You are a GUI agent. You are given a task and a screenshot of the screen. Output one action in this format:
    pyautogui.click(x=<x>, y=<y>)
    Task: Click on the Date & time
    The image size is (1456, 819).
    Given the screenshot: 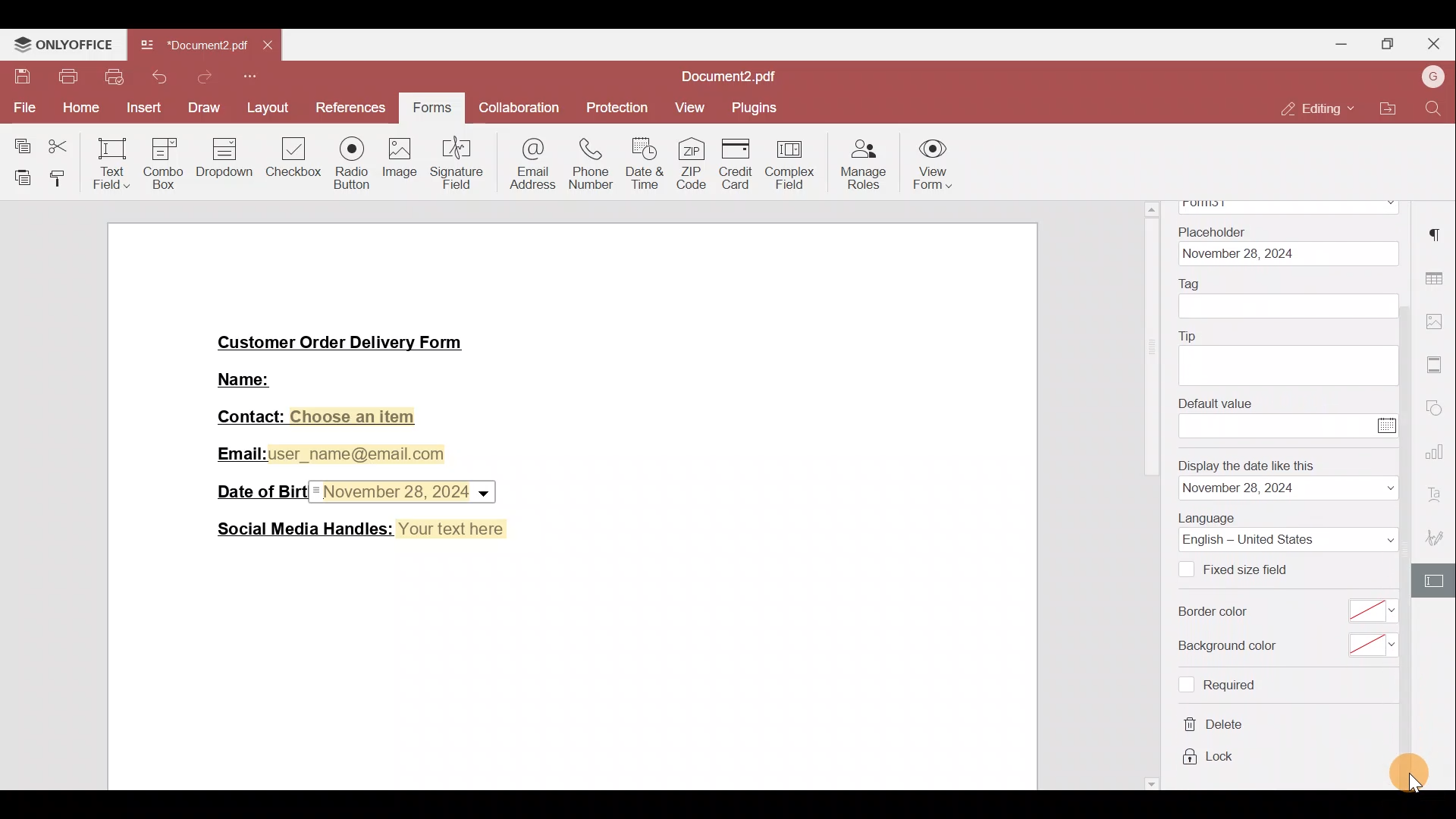 What is the action you would take?
    pyautogui.click(x=645, y=164)
    